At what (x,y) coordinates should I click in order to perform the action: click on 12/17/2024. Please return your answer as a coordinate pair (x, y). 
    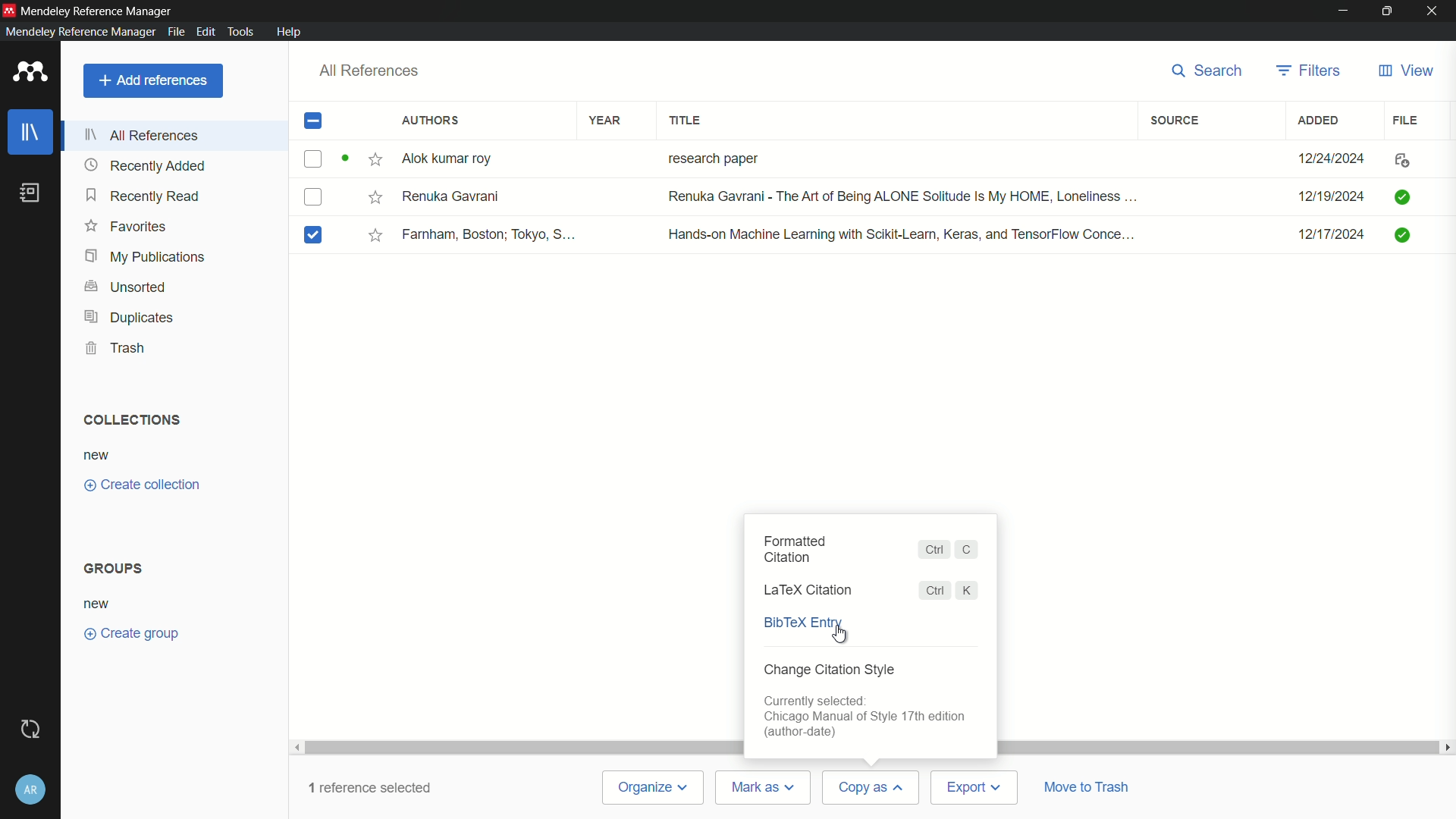
    Looking at the image, I should click on (1323, 235).